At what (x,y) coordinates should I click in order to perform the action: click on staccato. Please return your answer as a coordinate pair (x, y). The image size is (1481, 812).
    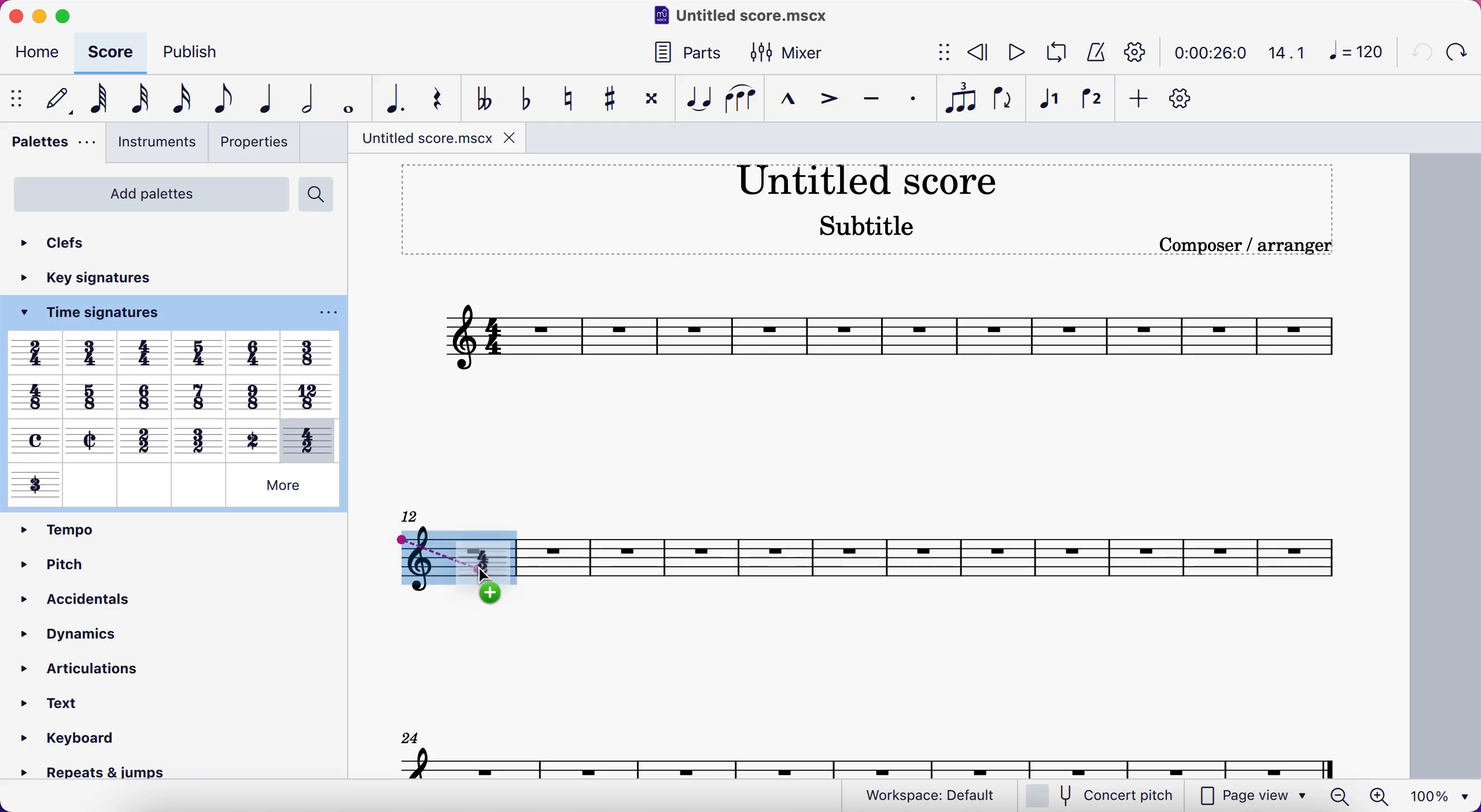
    Looking at the image, I should click on (911, 100).